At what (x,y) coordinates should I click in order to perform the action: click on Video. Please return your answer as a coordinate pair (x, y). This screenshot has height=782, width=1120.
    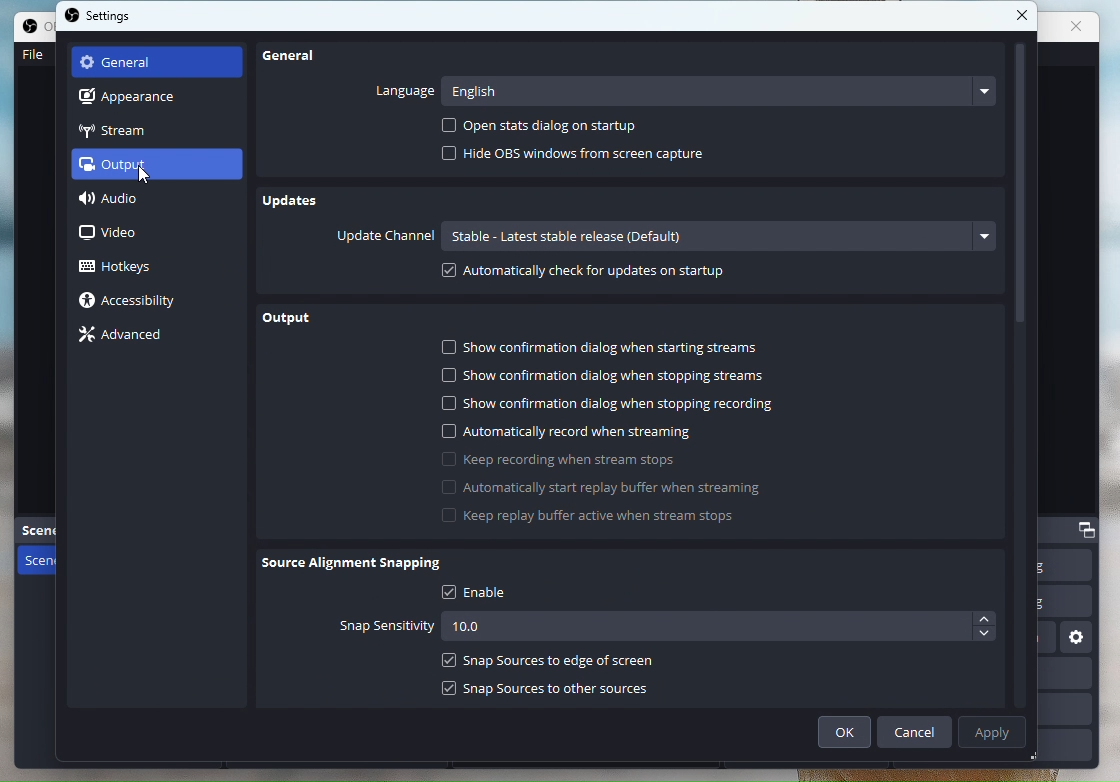
    Looking at the image, I should click on (117, 232).